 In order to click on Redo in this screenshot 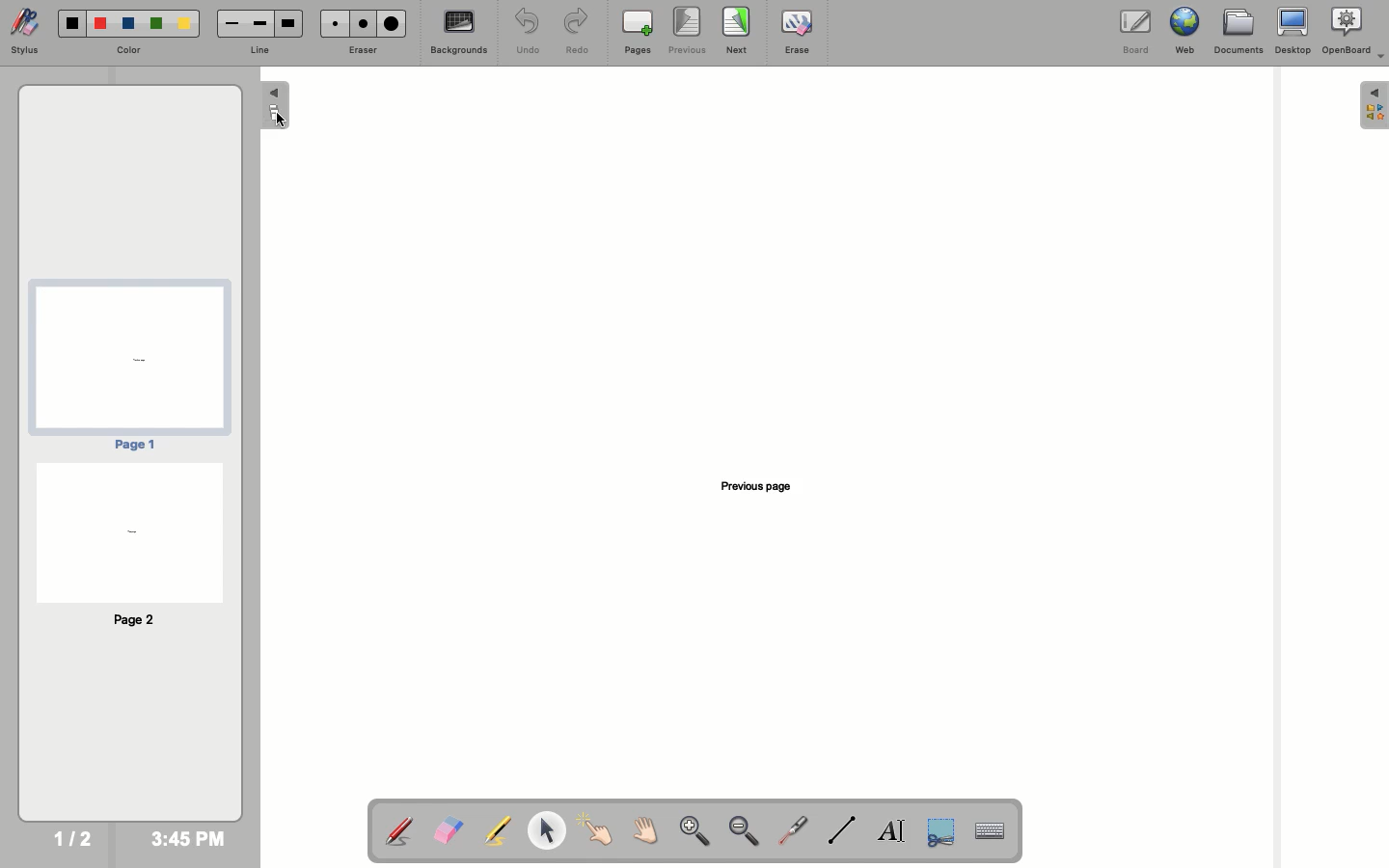, I will do `click(574, 33)`.